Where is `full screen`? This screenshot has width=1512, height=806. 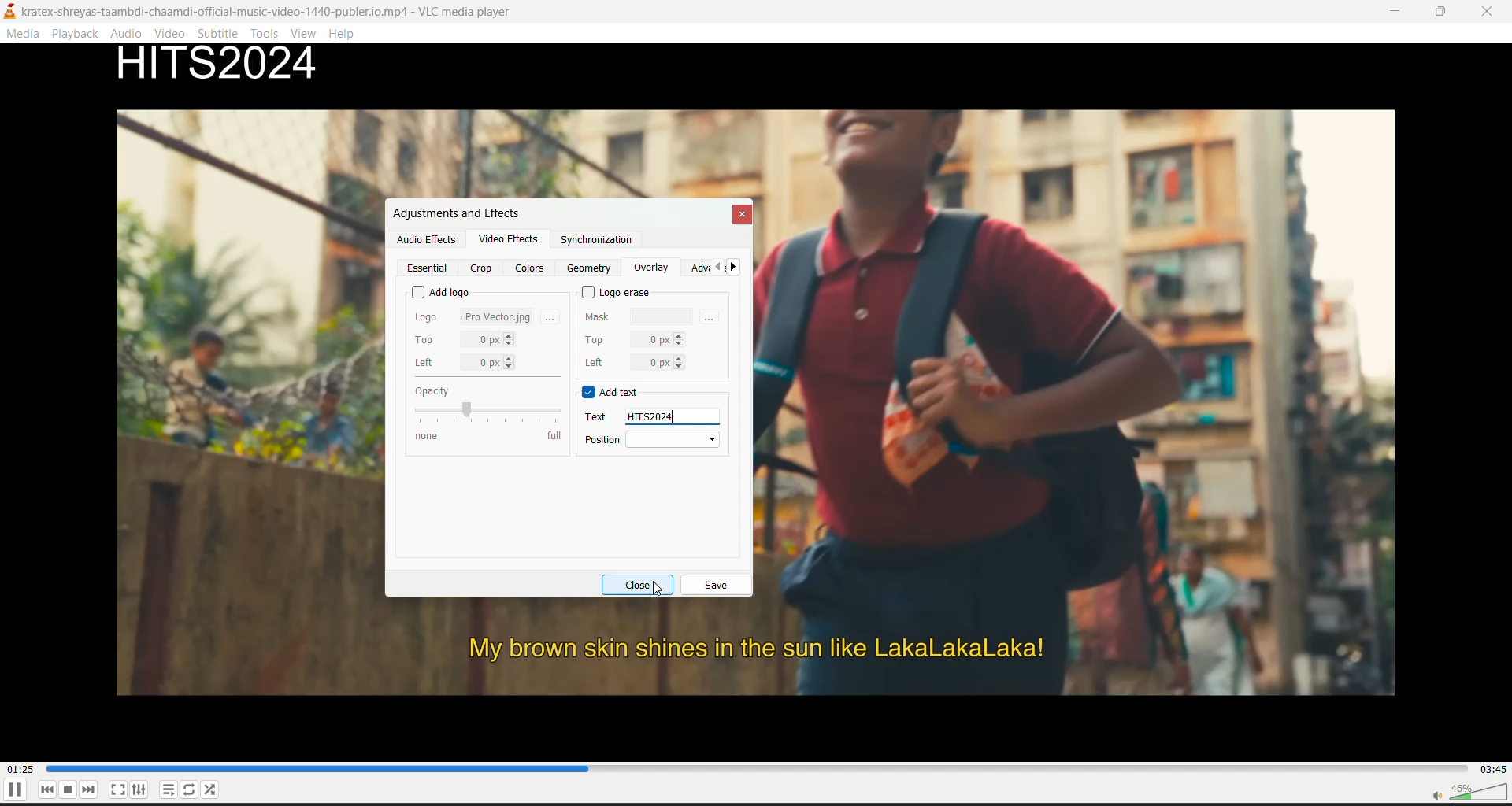
full screen is located at coordinates (117, 792).